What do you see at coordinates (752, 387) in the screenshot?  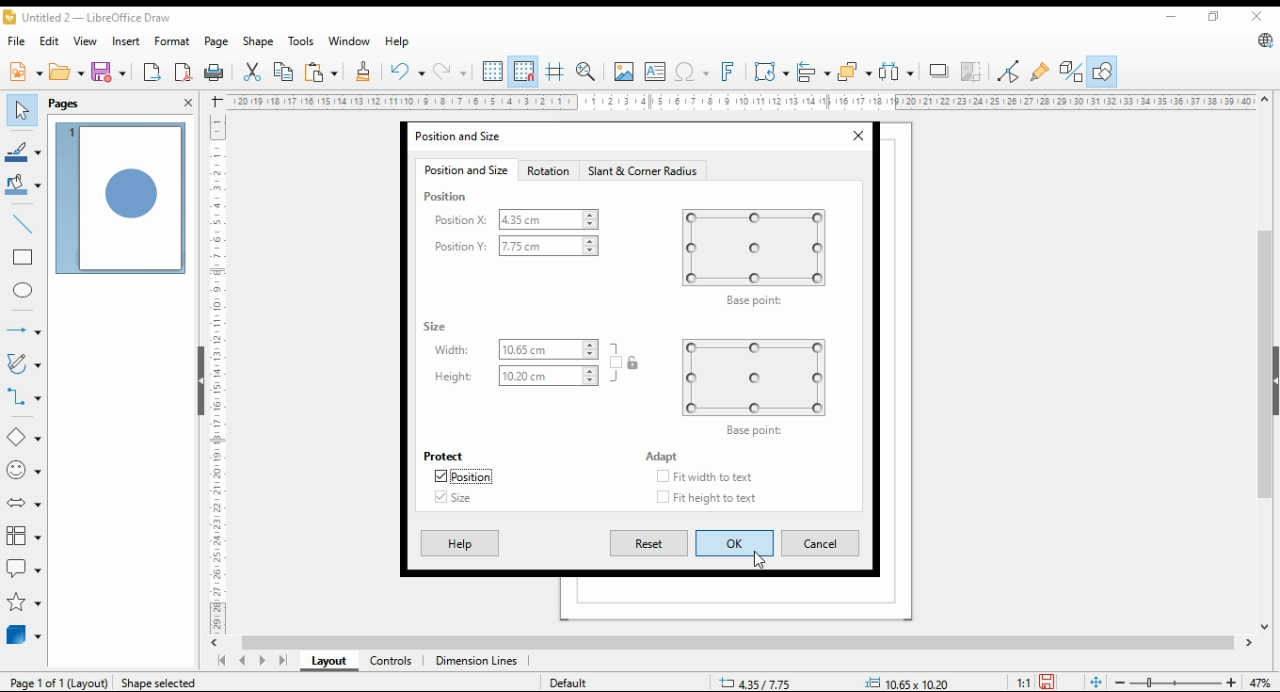 I see `base point preview` at bounding box center [752, 387].